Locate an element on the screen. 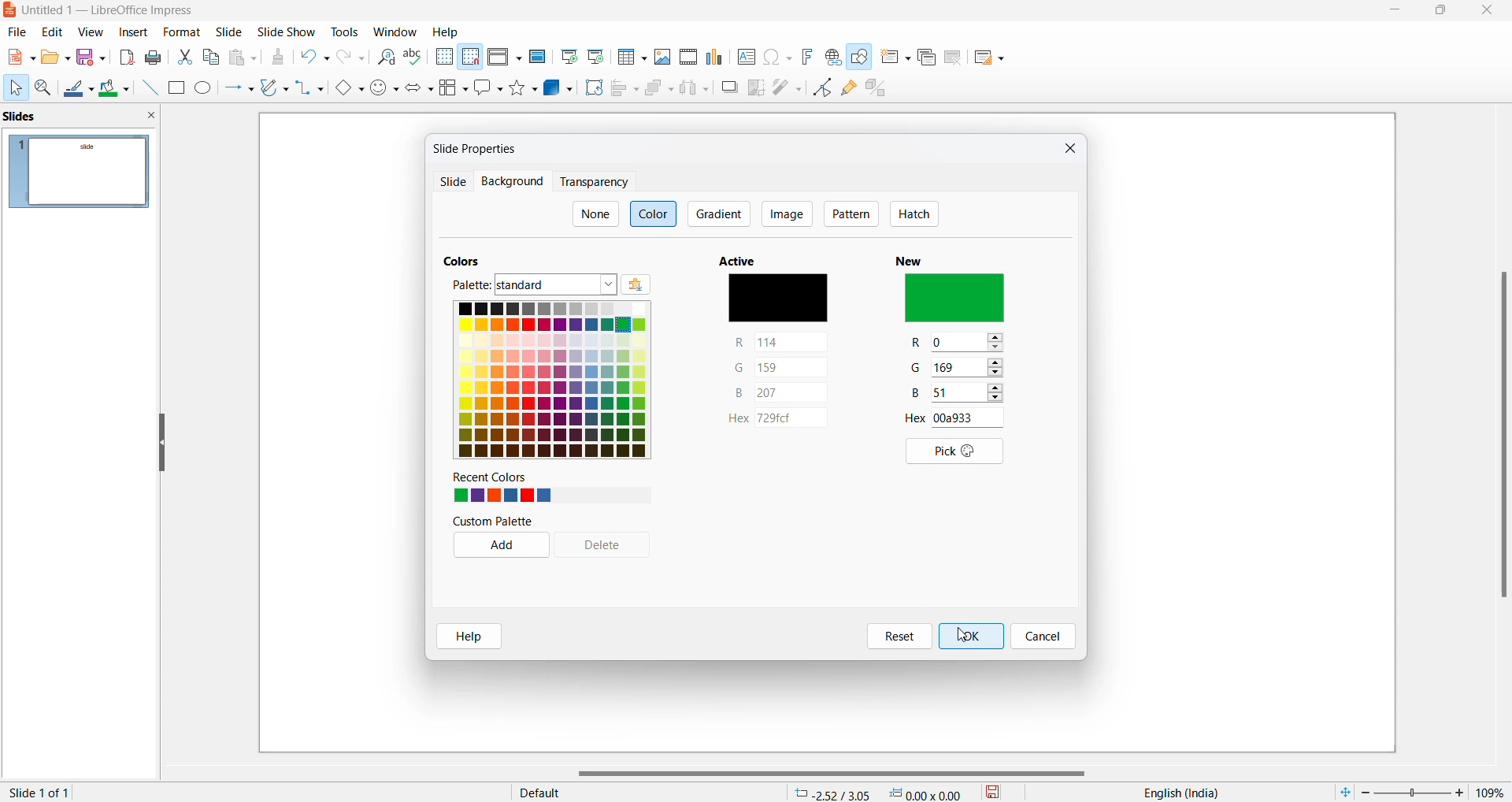 This screenshot has width=1512, height=802. none is located at coordinates (595, 214).